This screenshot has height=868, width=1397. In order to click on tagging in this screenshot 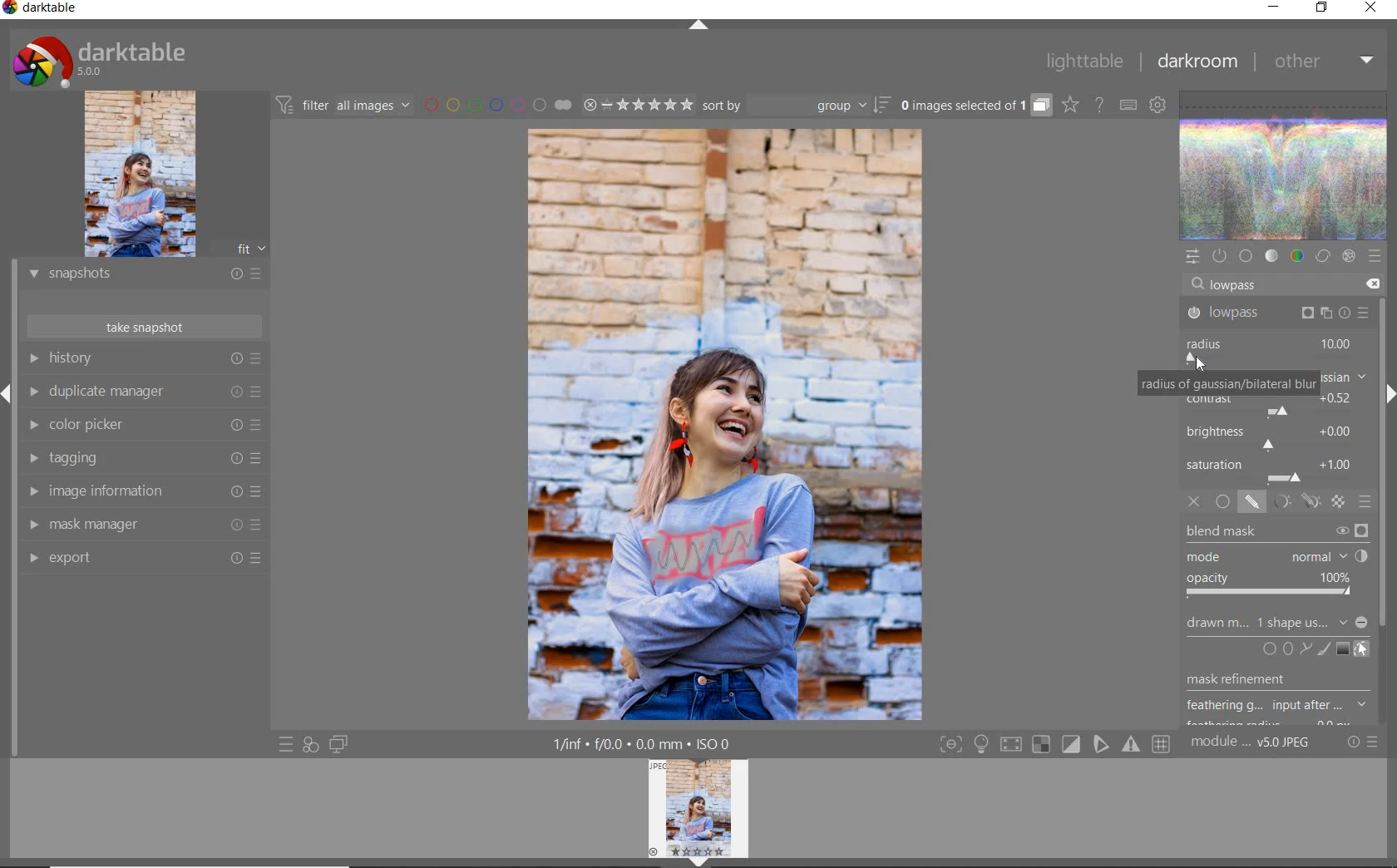, I will do `click(144, 460)`.